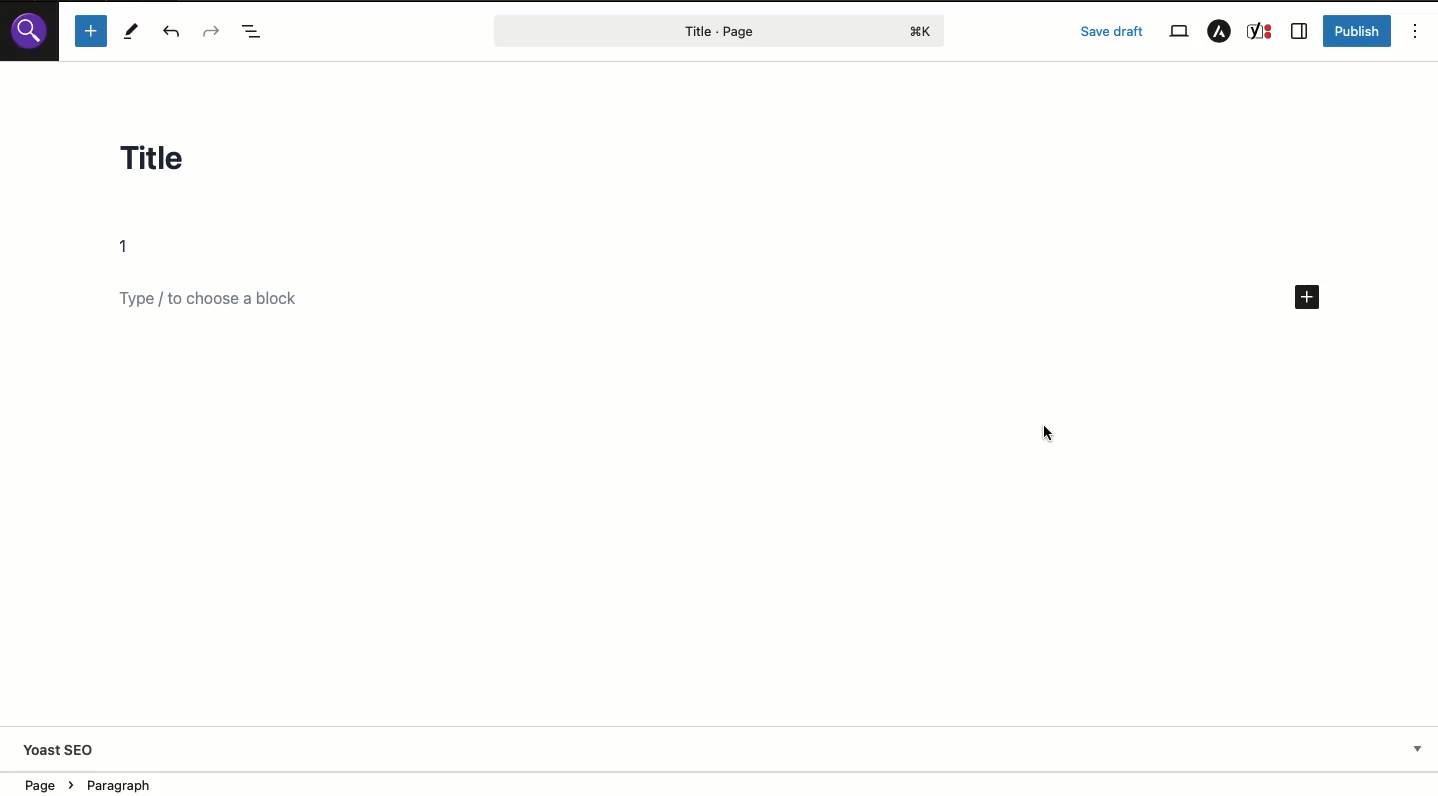 This screenshot has width=1438, height=796. What do you see at coordinates (110, 783) in the screenshot?
I see `Location` at bounding box center [110, 783].